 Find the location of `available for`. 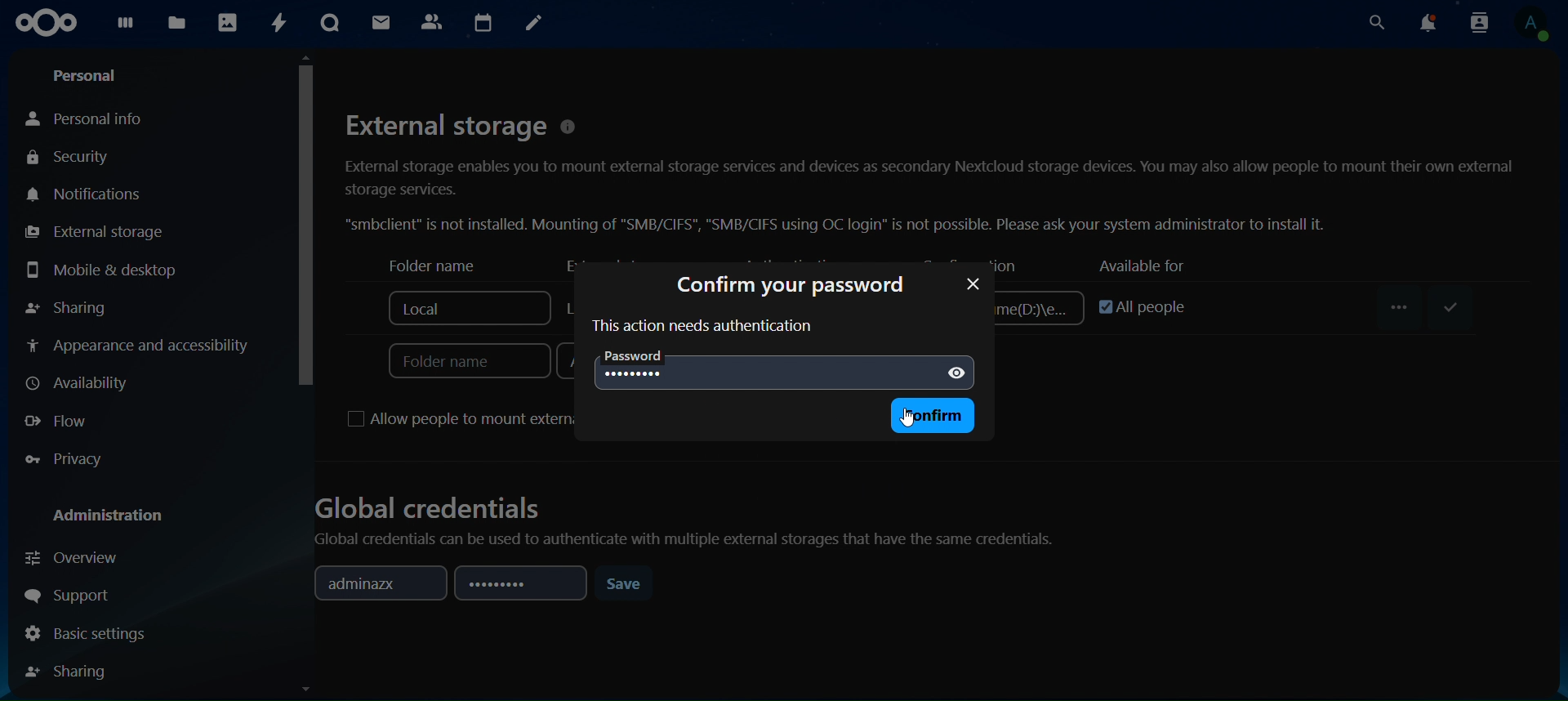

available for is located at coordinates (1138, 266).